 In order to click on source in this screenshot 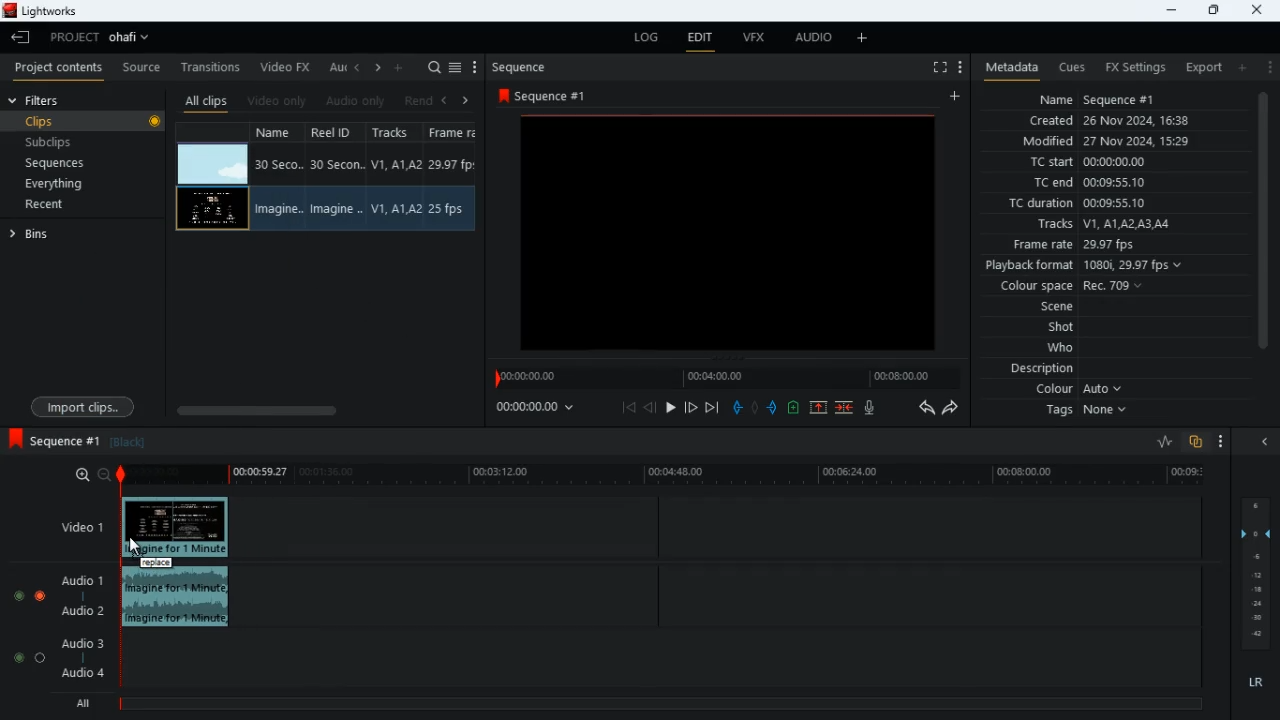, I will do `click(141, 68)`.